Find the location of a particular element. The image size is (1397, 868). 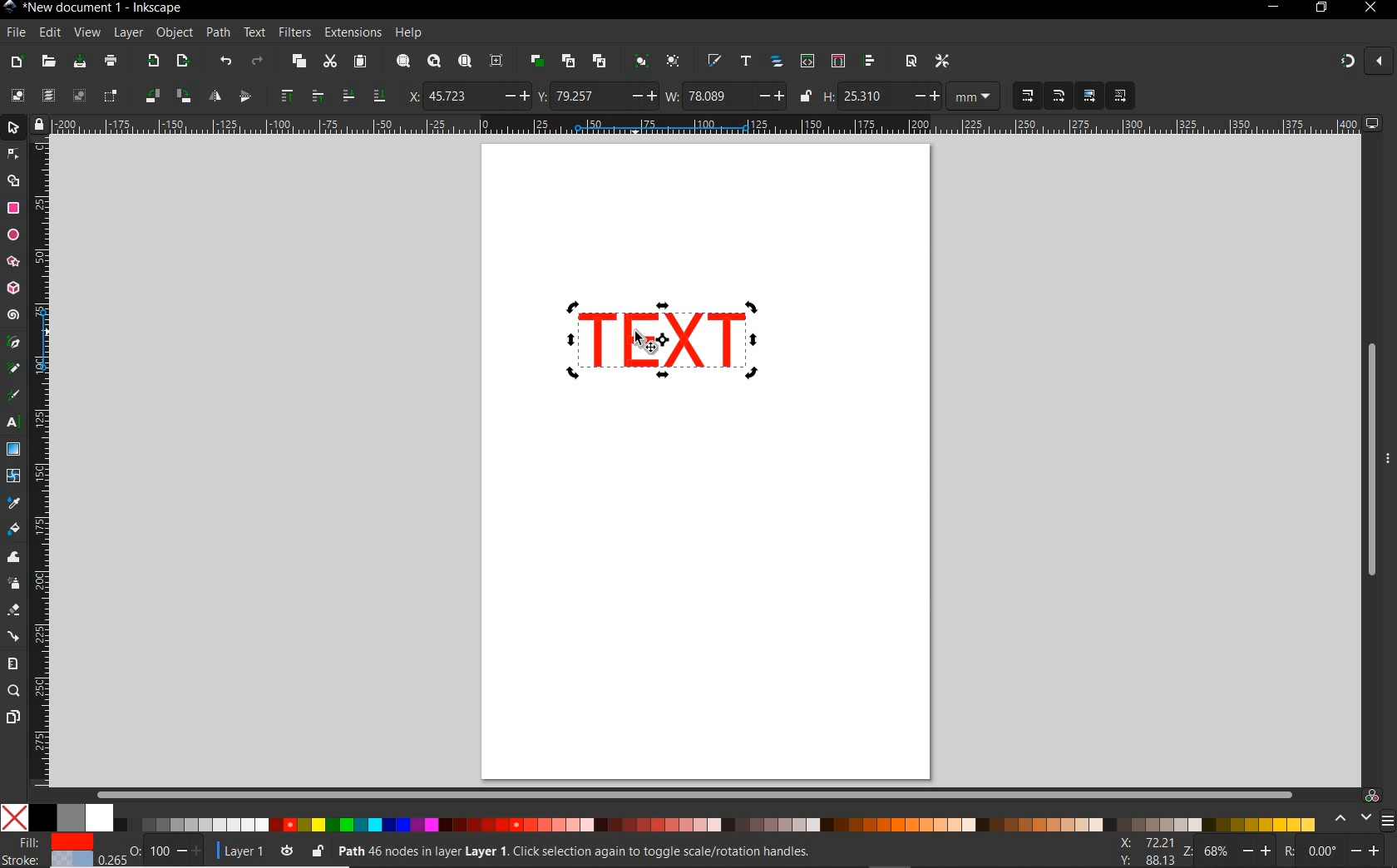

HEIGHT OF SELECTION is located at coordinates (881, 97).